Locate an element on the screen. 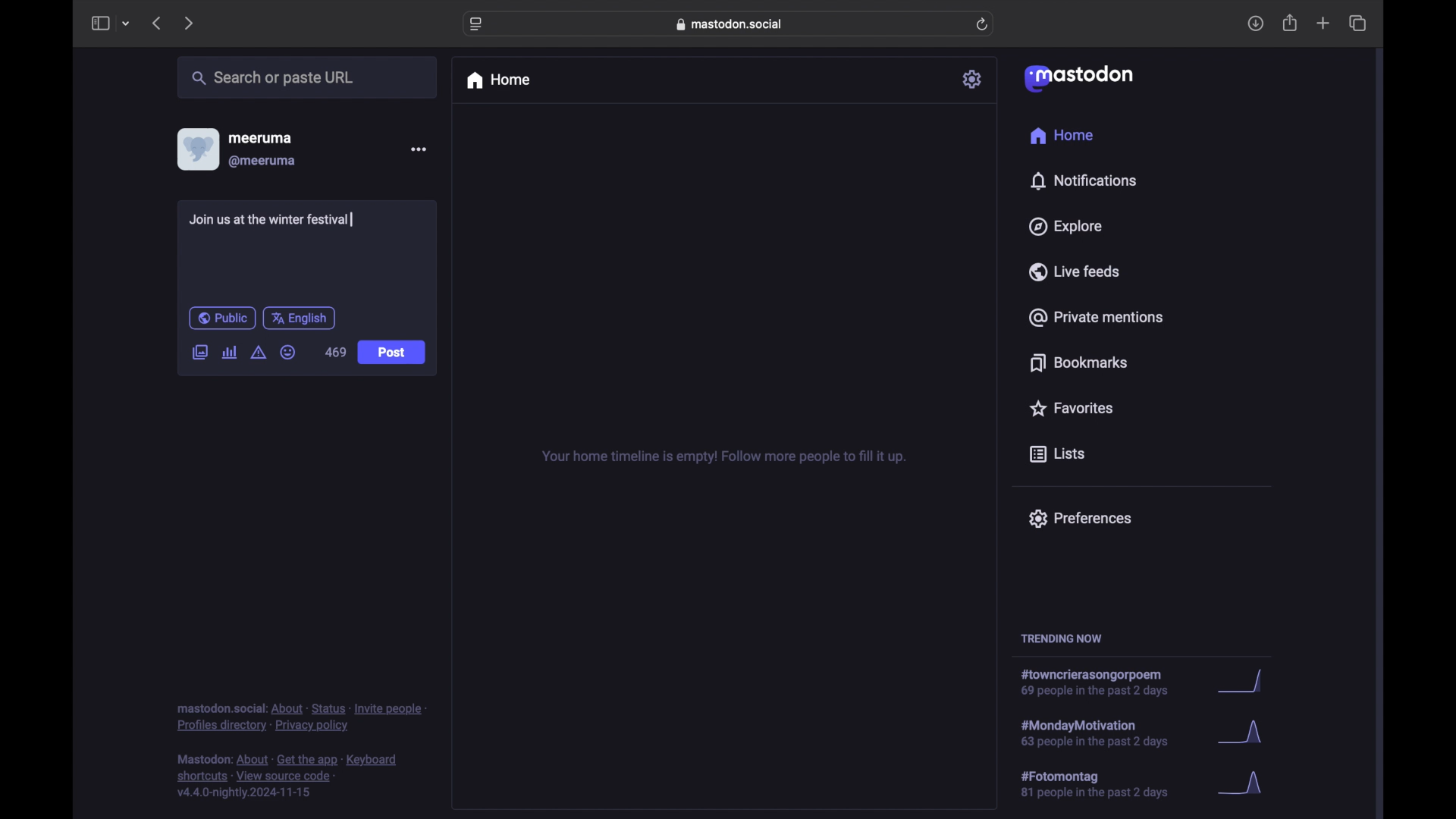  settings is located at coordinates (974, 79).